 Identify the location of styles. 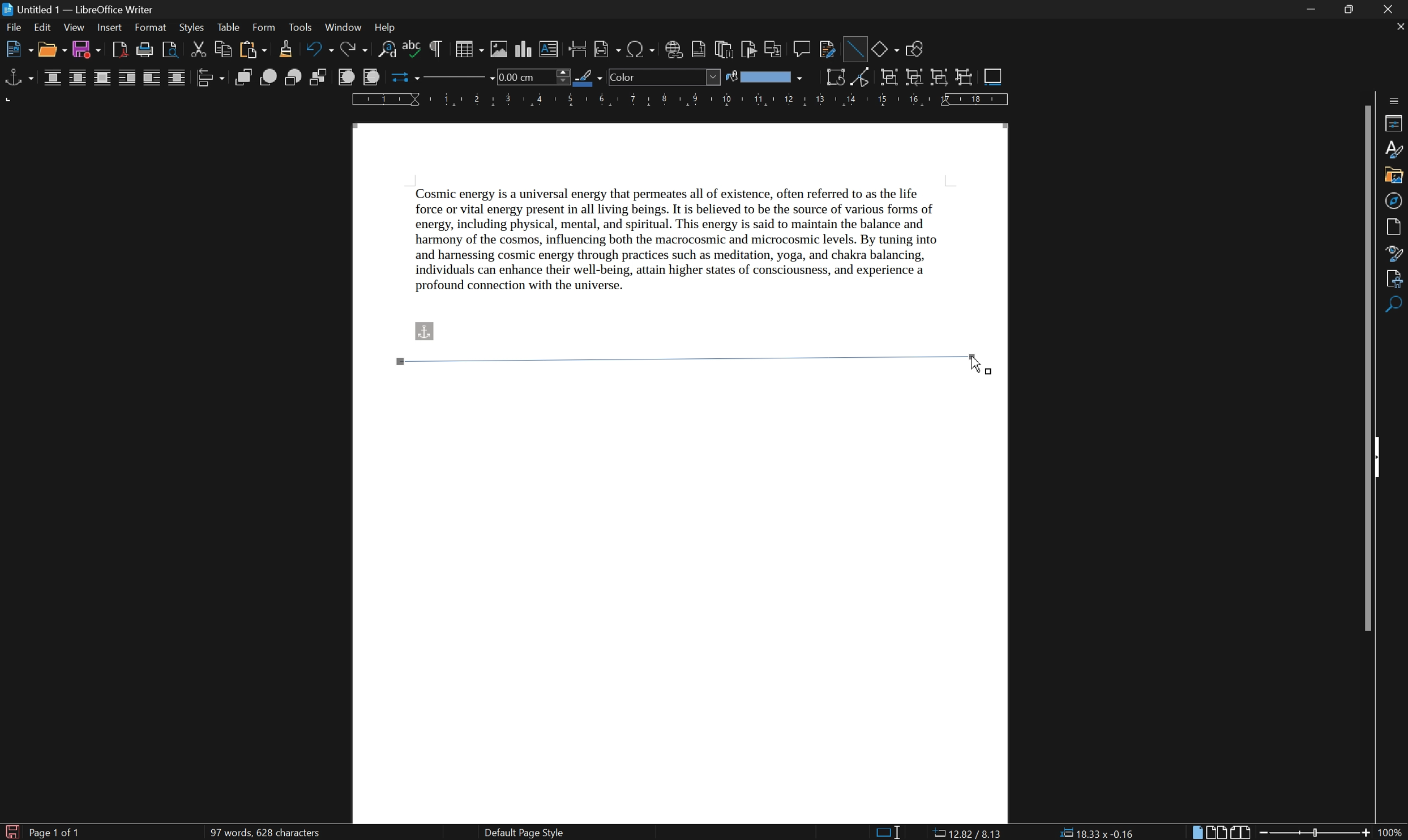
(191, 27).